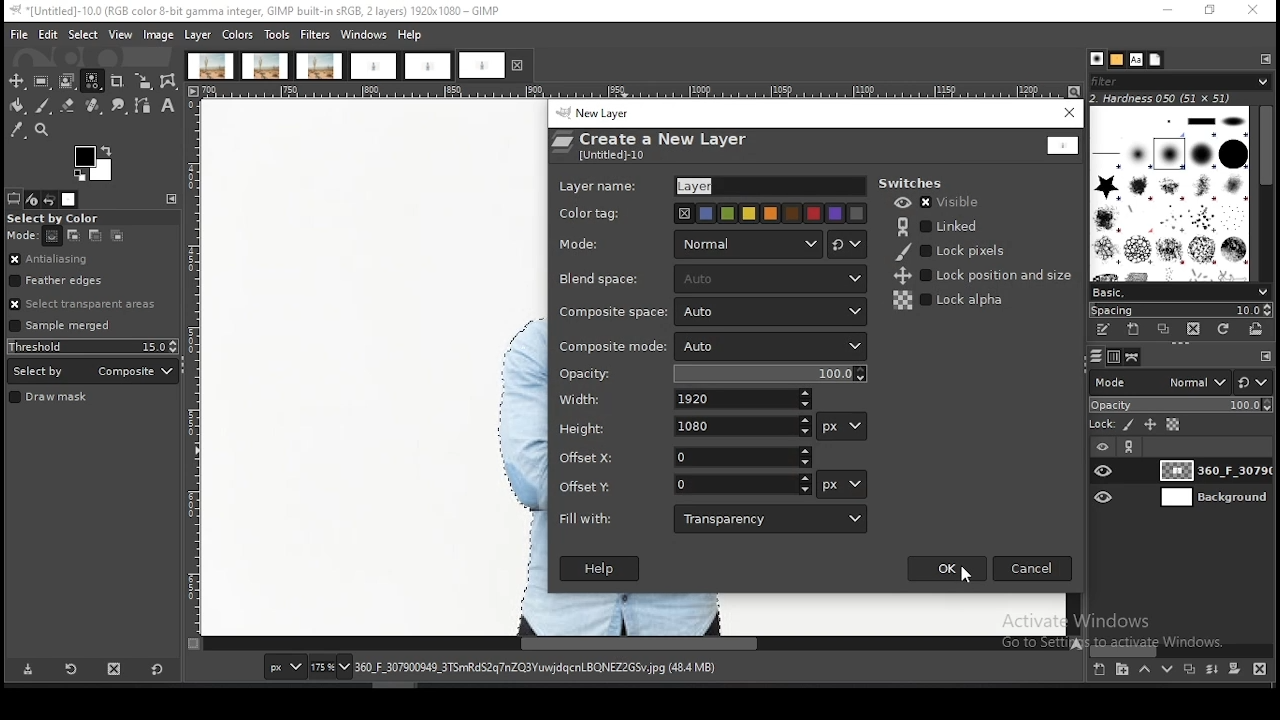 This screenshot has height=720, width=1280. Describe the element at coordinates (412, 34) in the screenshot. I see `help` at that location.